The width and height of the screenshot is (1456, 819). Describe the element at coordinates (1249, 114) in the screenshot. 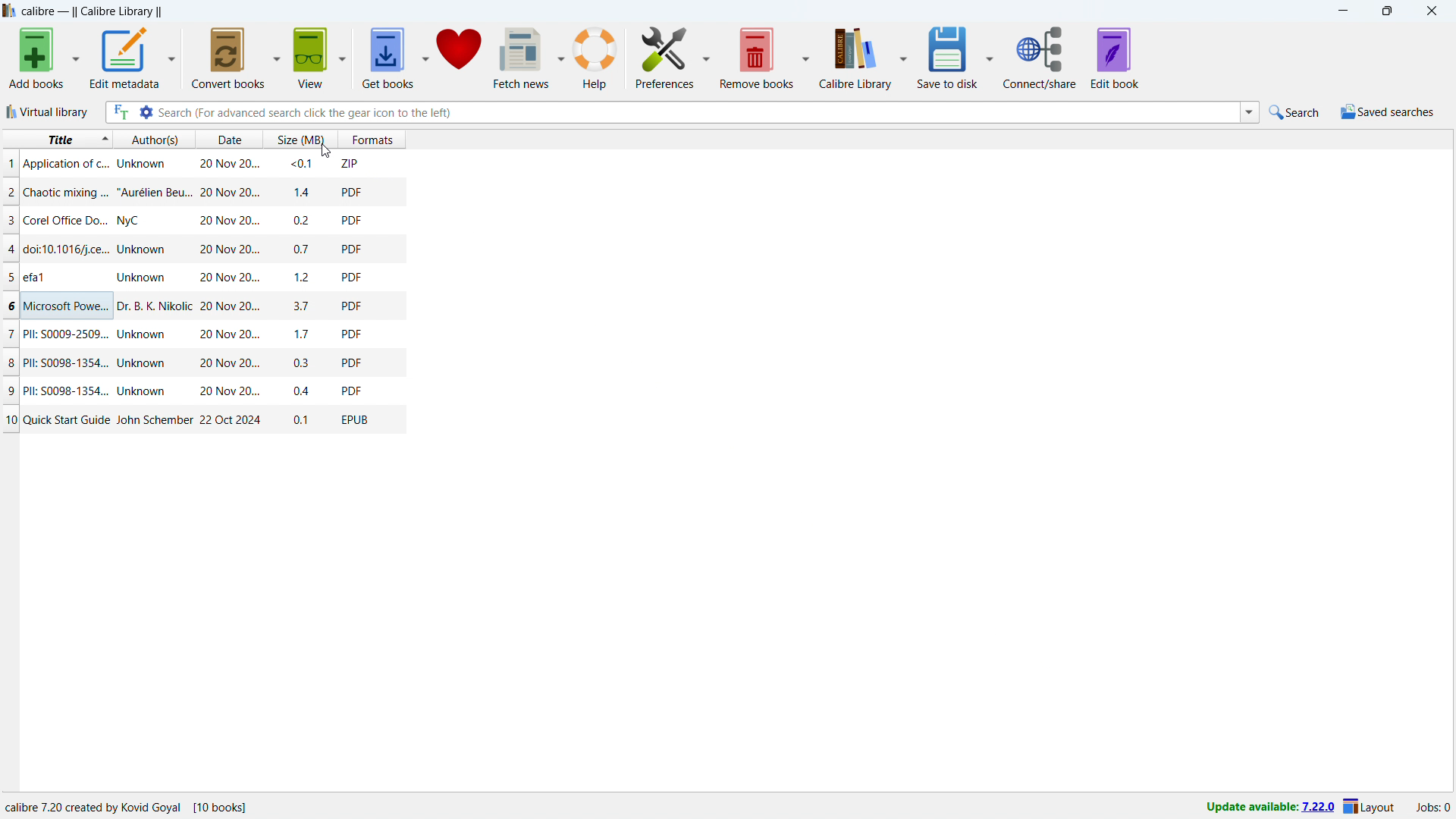

I see `search history` at that location.